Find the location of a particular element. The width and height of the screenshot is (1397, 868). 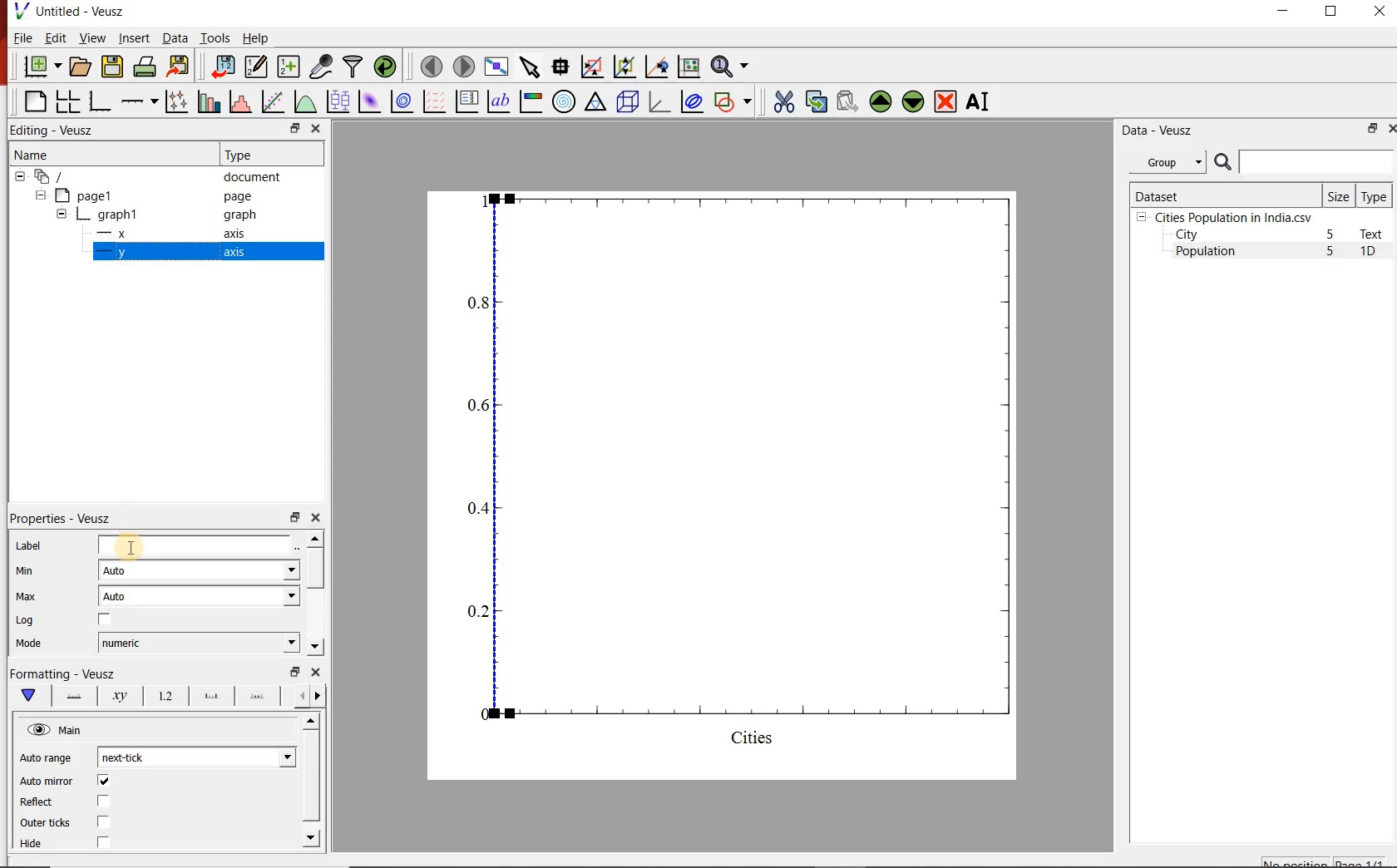

search dataset is located at coordinates (1305, 162).